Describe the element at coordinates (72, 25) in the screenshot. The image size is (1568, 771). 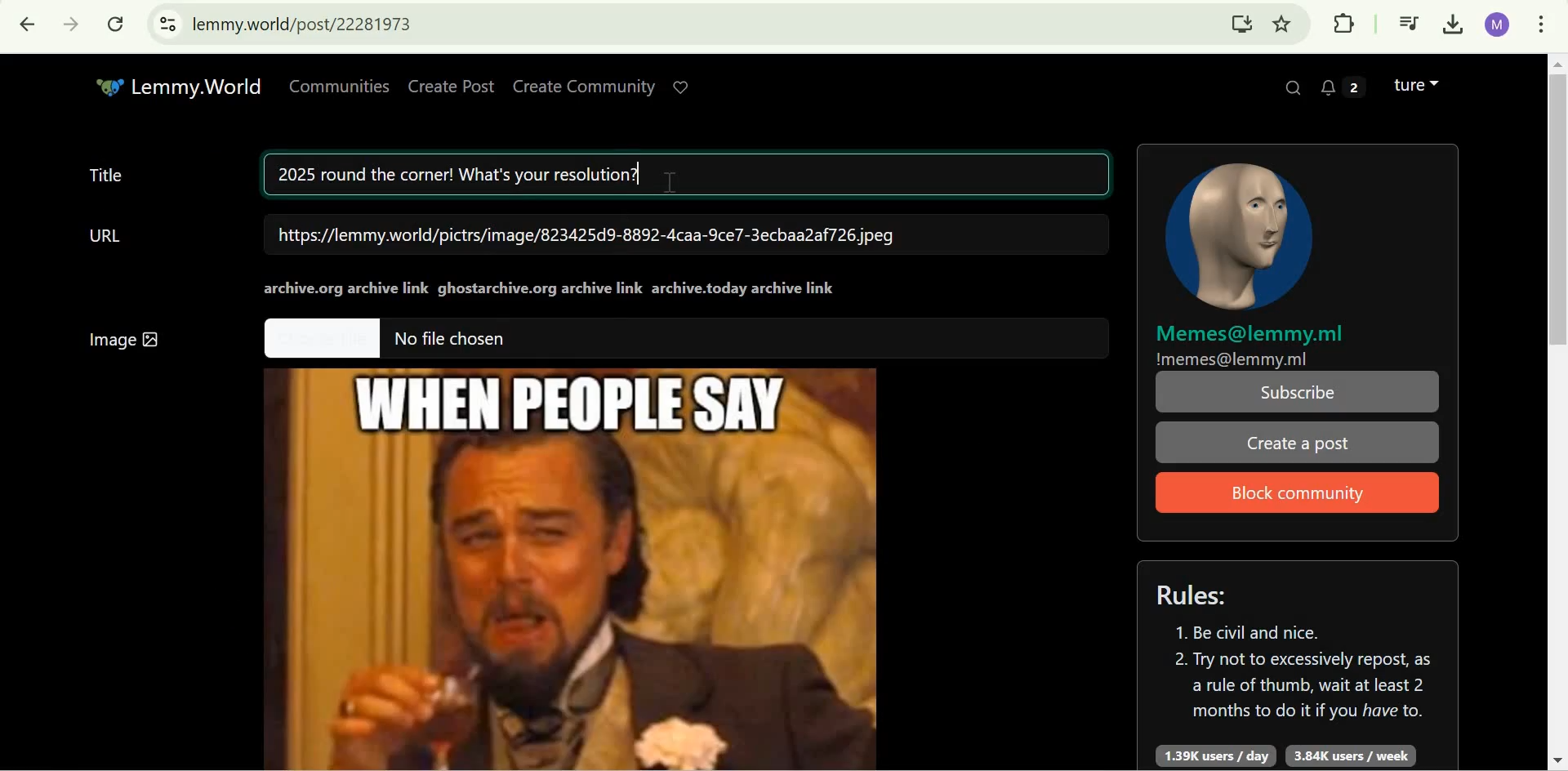
I see `Click to go forward, hold to see history` at that location.